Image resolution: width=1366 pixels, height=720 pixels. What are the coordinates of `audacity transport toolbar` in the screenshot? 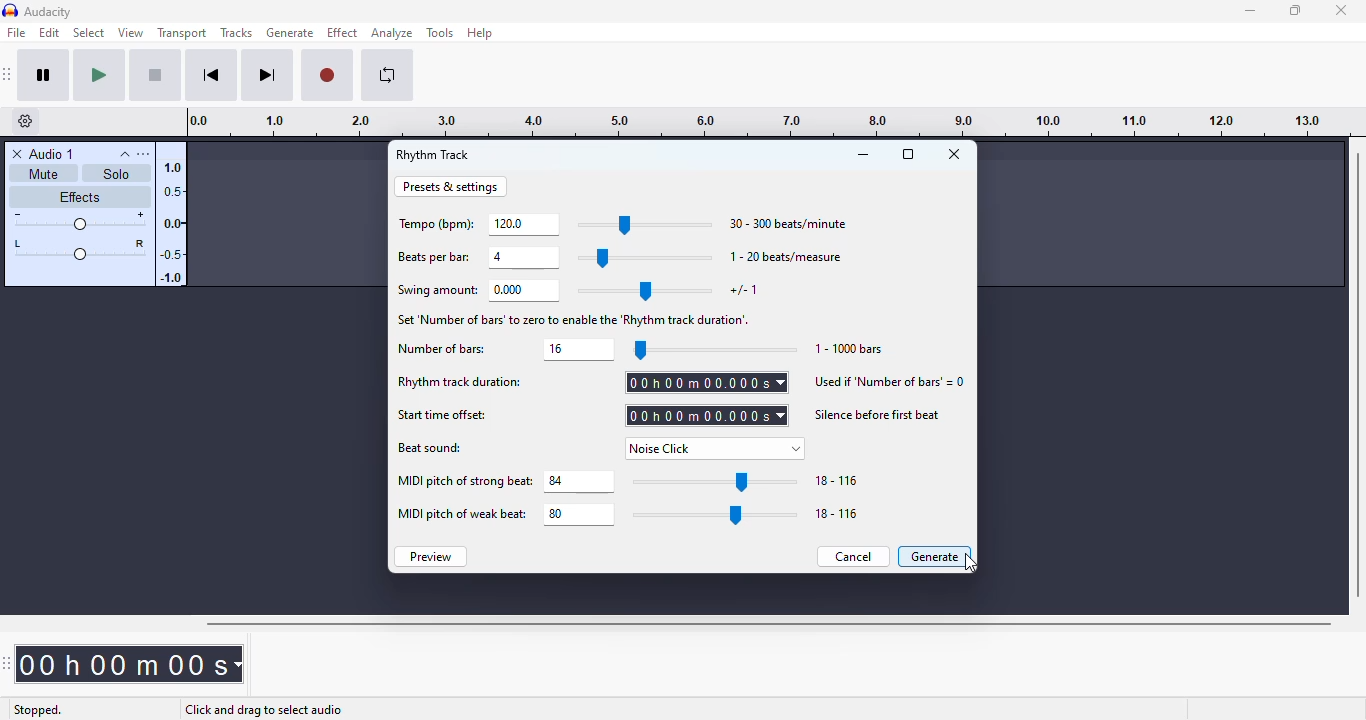 It's located at (8, 75).